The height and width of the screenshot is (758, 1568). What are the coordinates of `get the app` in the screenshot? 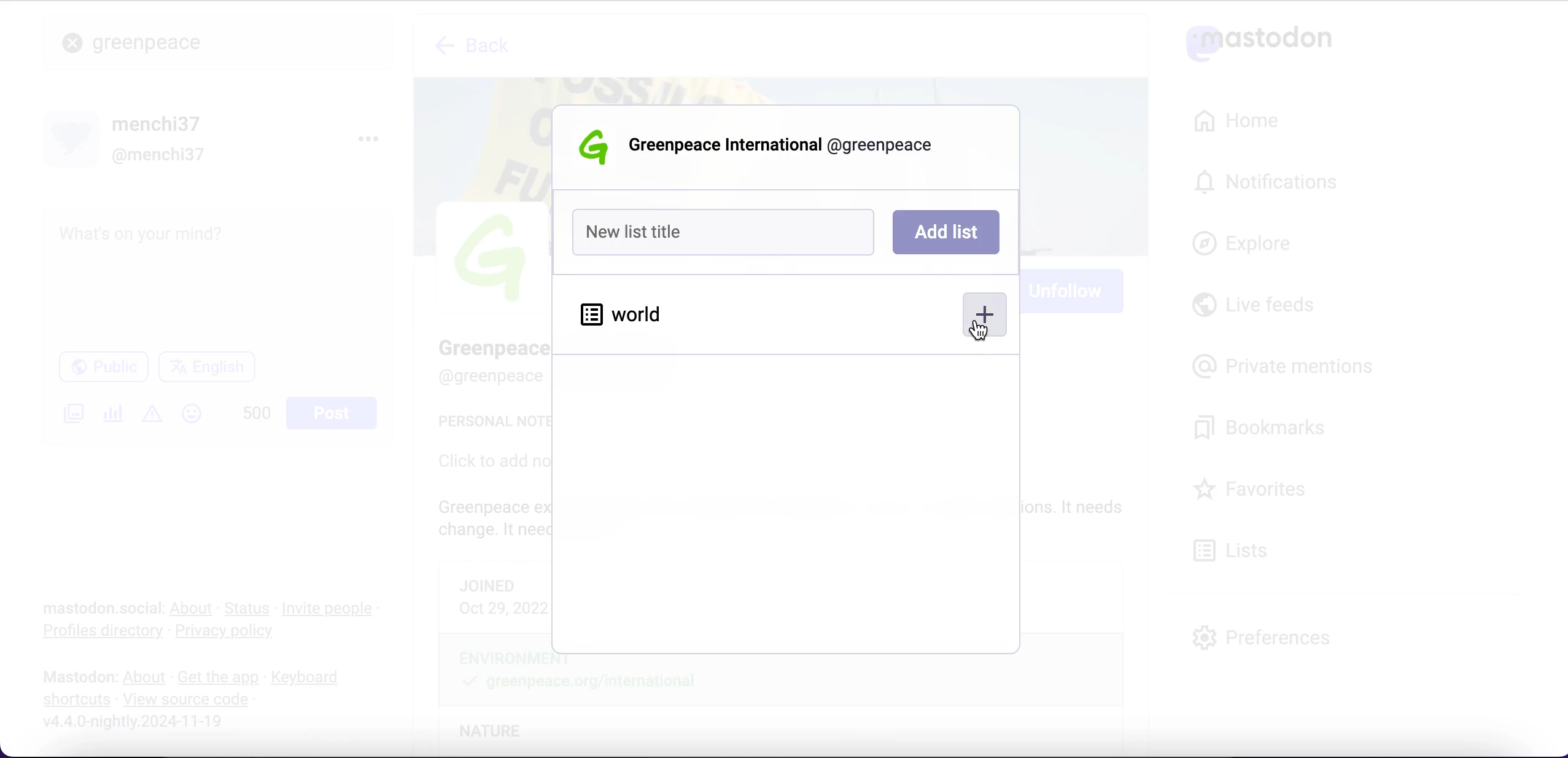 It's located at (217, 677).